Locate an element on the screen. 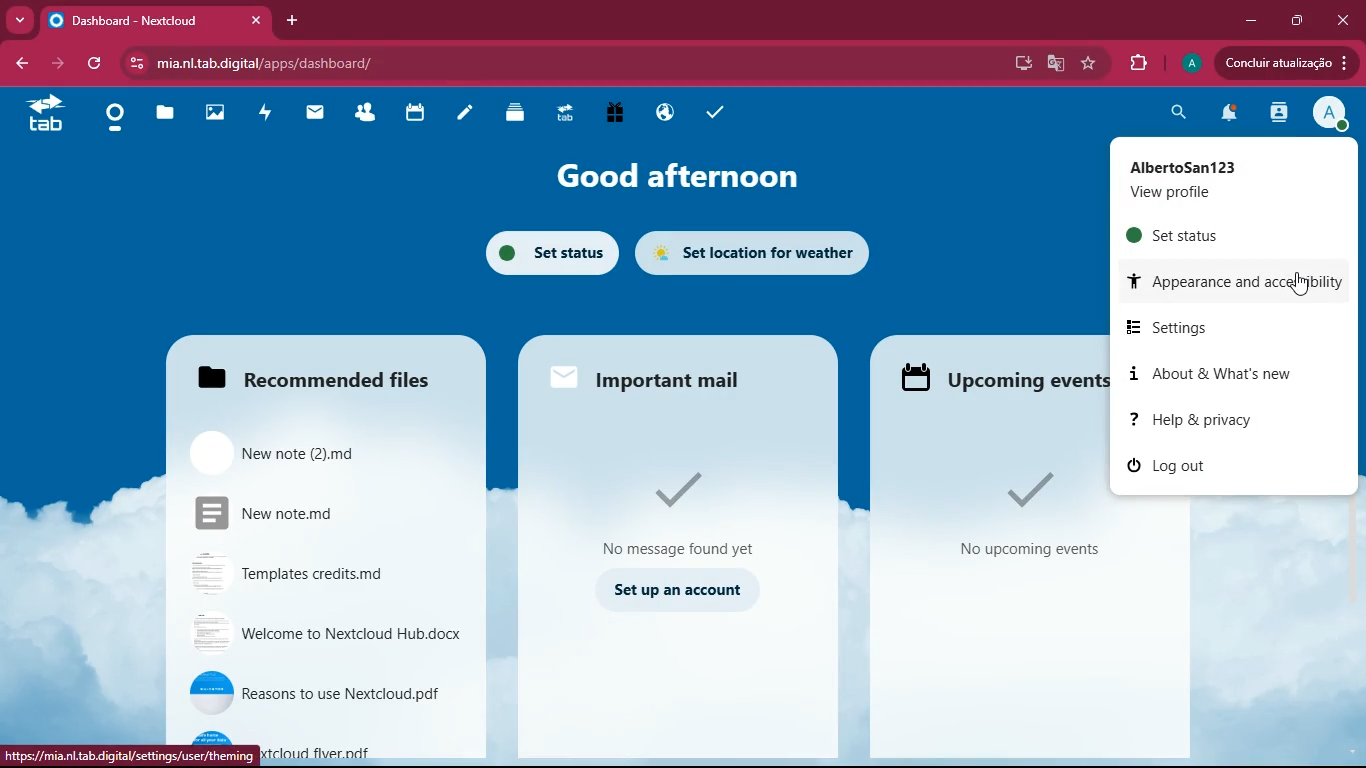 This screenshot has height=768, width=1366. desktop is located at coordinates (1019, 63).